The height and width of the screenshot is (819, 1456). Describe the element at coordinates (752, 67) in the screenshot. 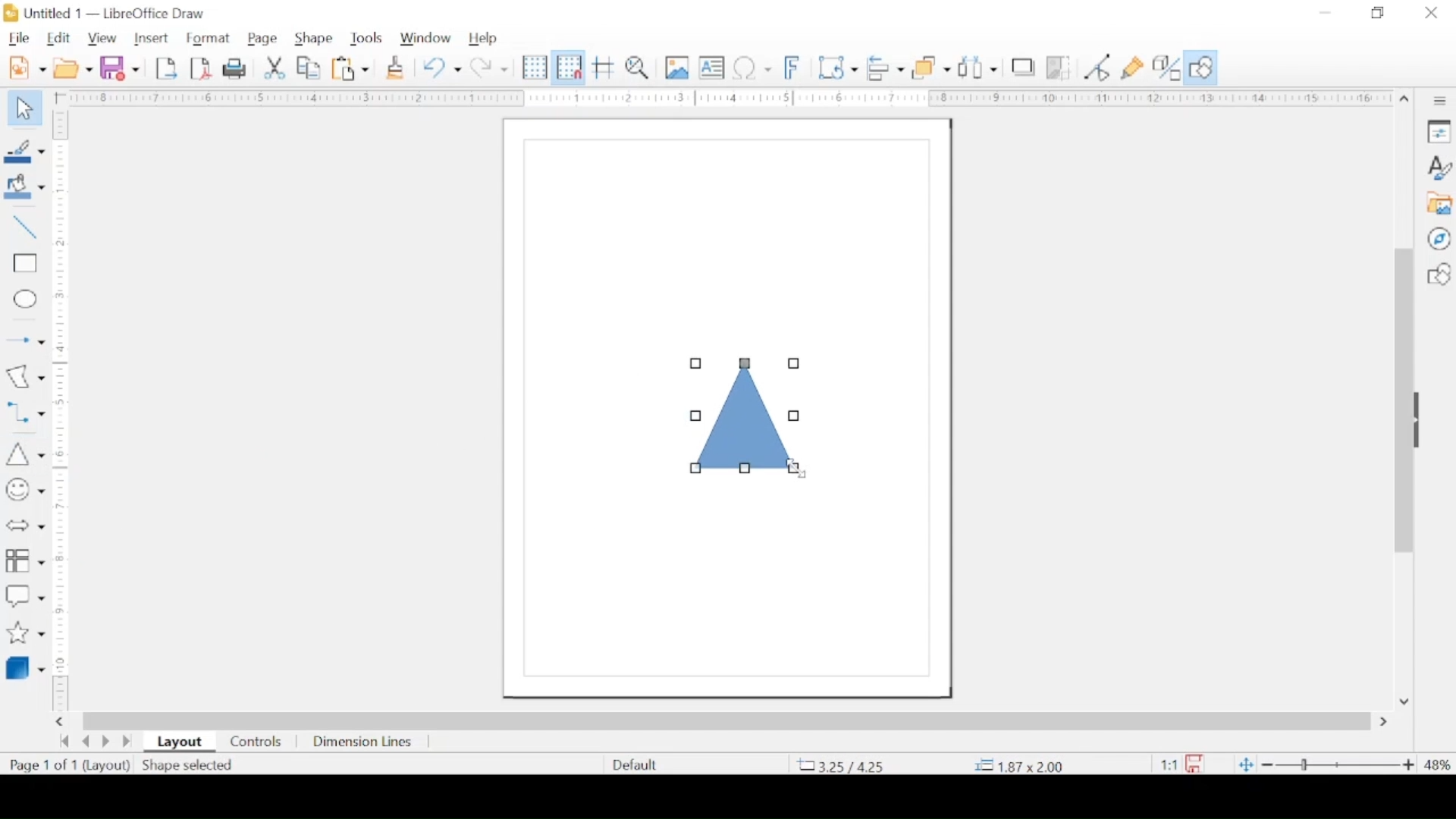

I see `insert special characters` at that location.